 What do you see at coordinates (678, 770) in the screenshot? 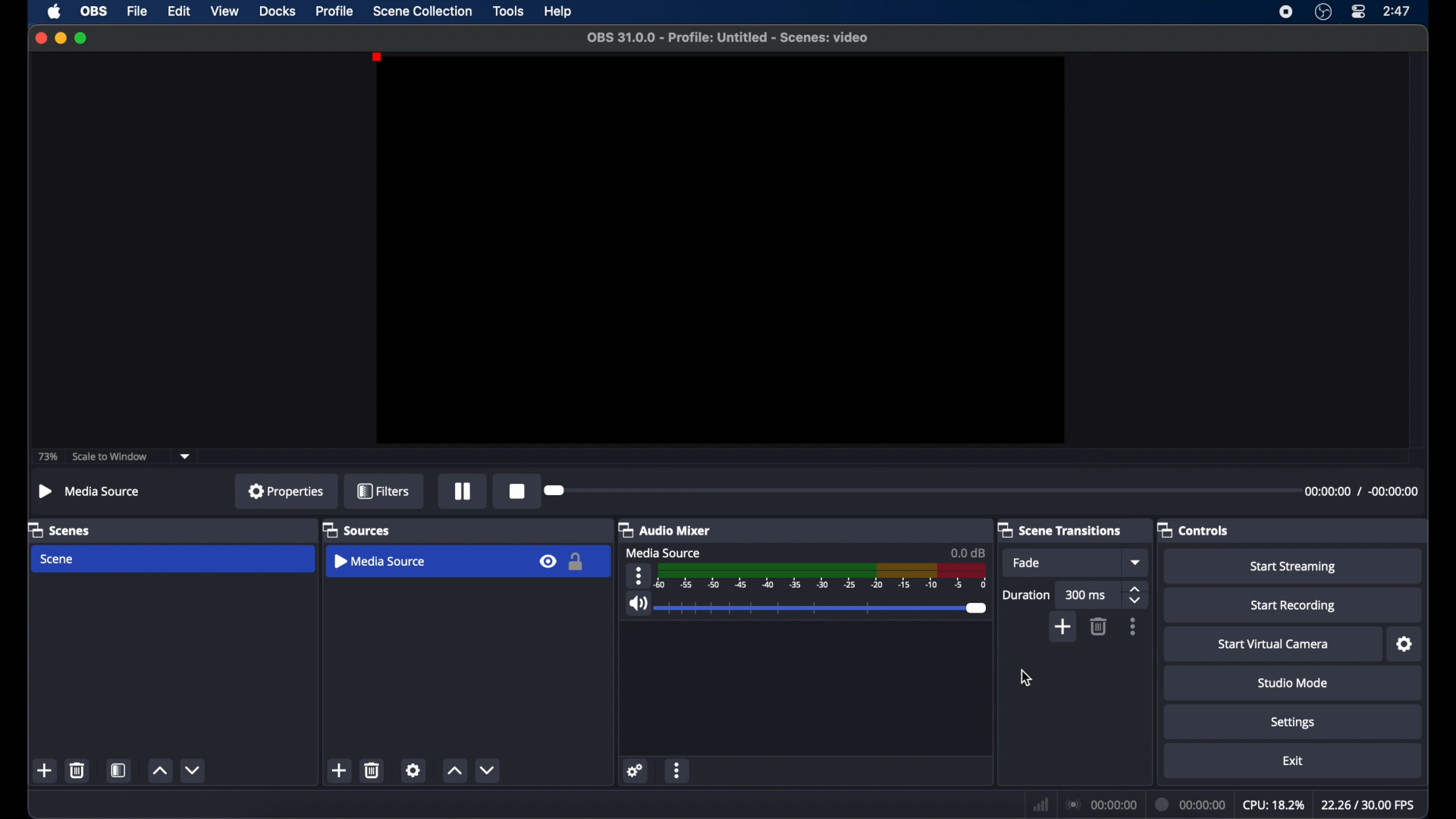
I see `more options` at bounding box center [678, 770].